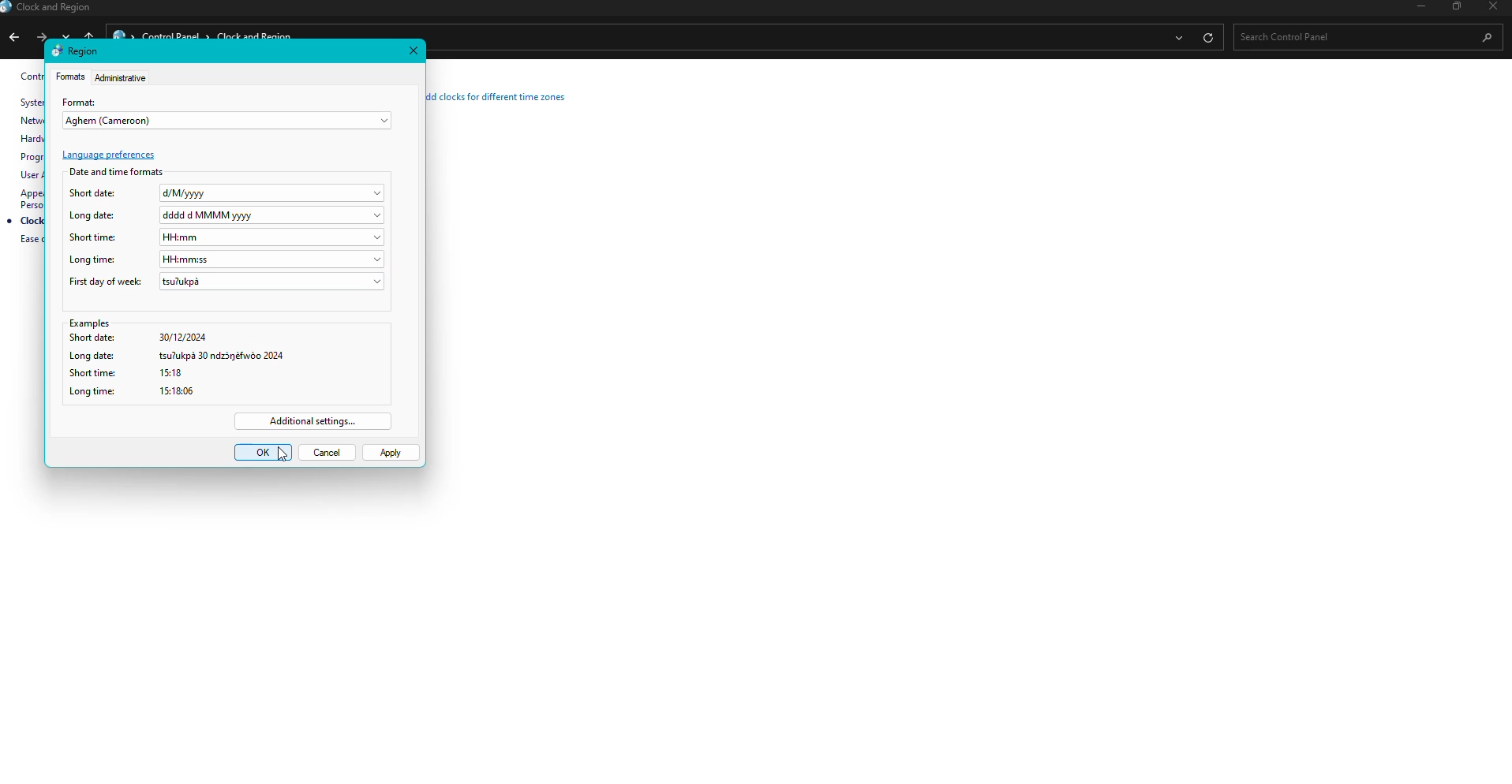 Image resolution: width=1512 pixels, height=784 pixels. Describe the element at coordinates (328, 452) in the screenshot. I see `Cancel` at that location.